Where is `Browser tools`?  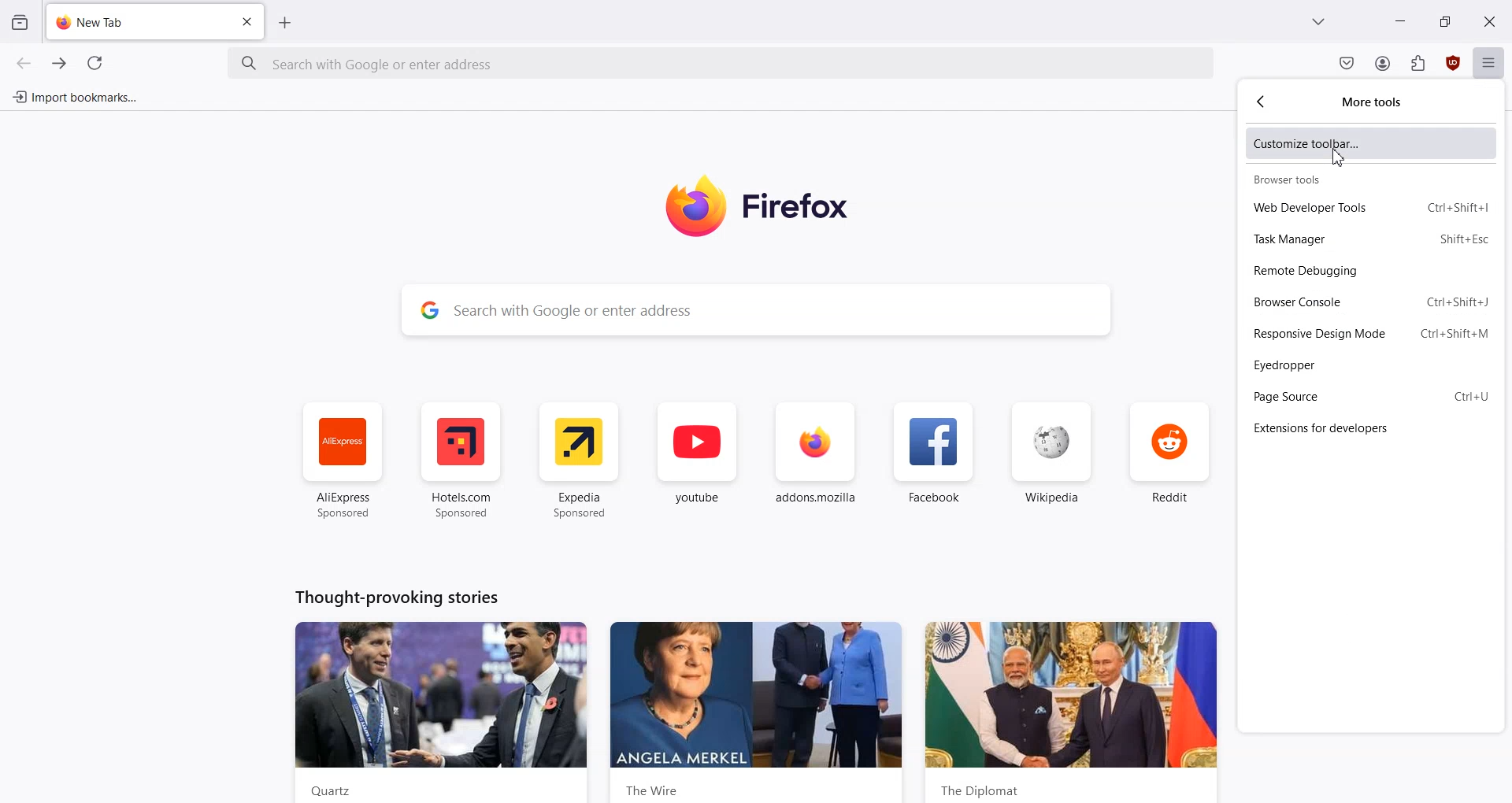 Browser tools is located at coordinates (1321, 179).